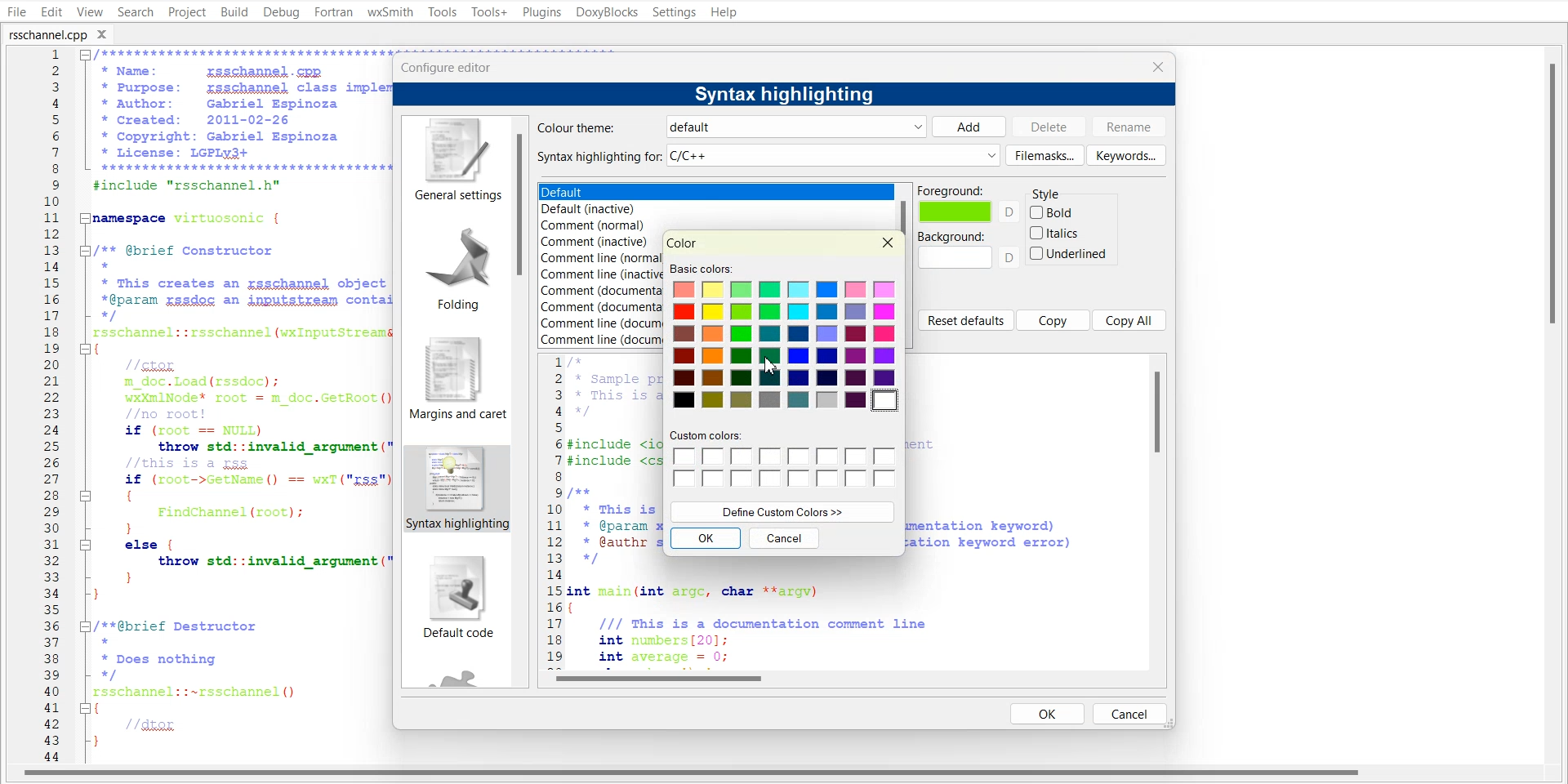 The width and height of the screenshot is (1568, 784). I want to click on Color theme default, so click(728, 127).